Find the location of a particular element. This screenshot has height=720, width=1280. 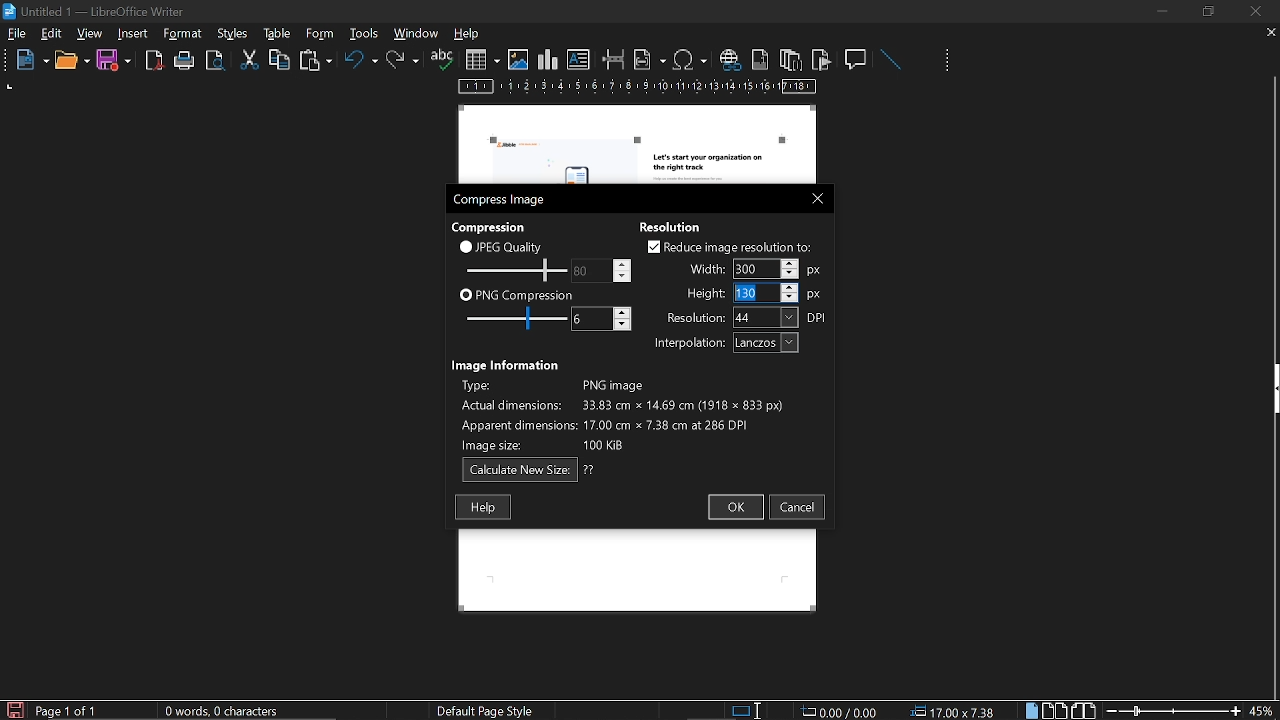

Cursor is located at coordinates (729, 290).